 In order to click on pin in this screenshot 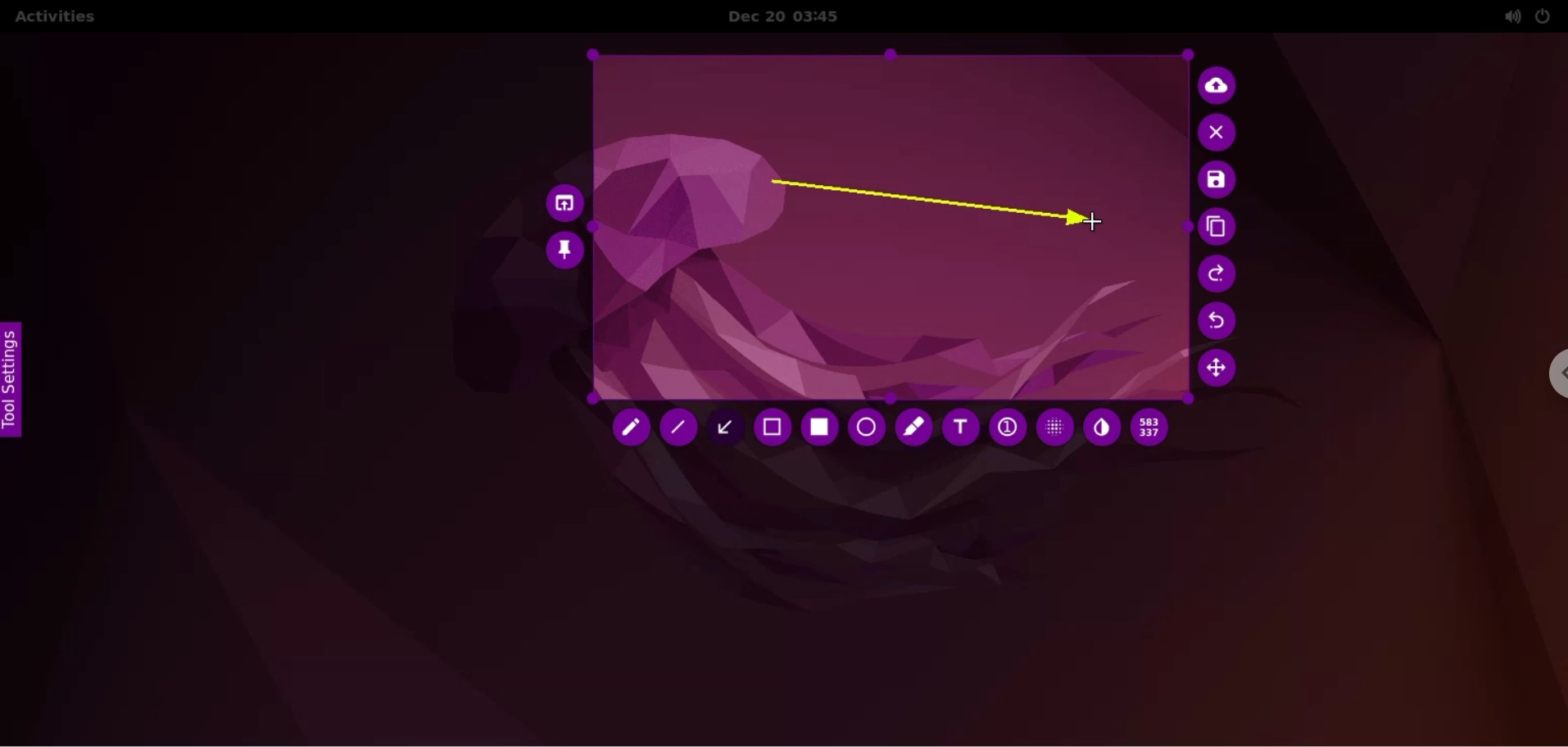, I will do `click(565, 250)`.